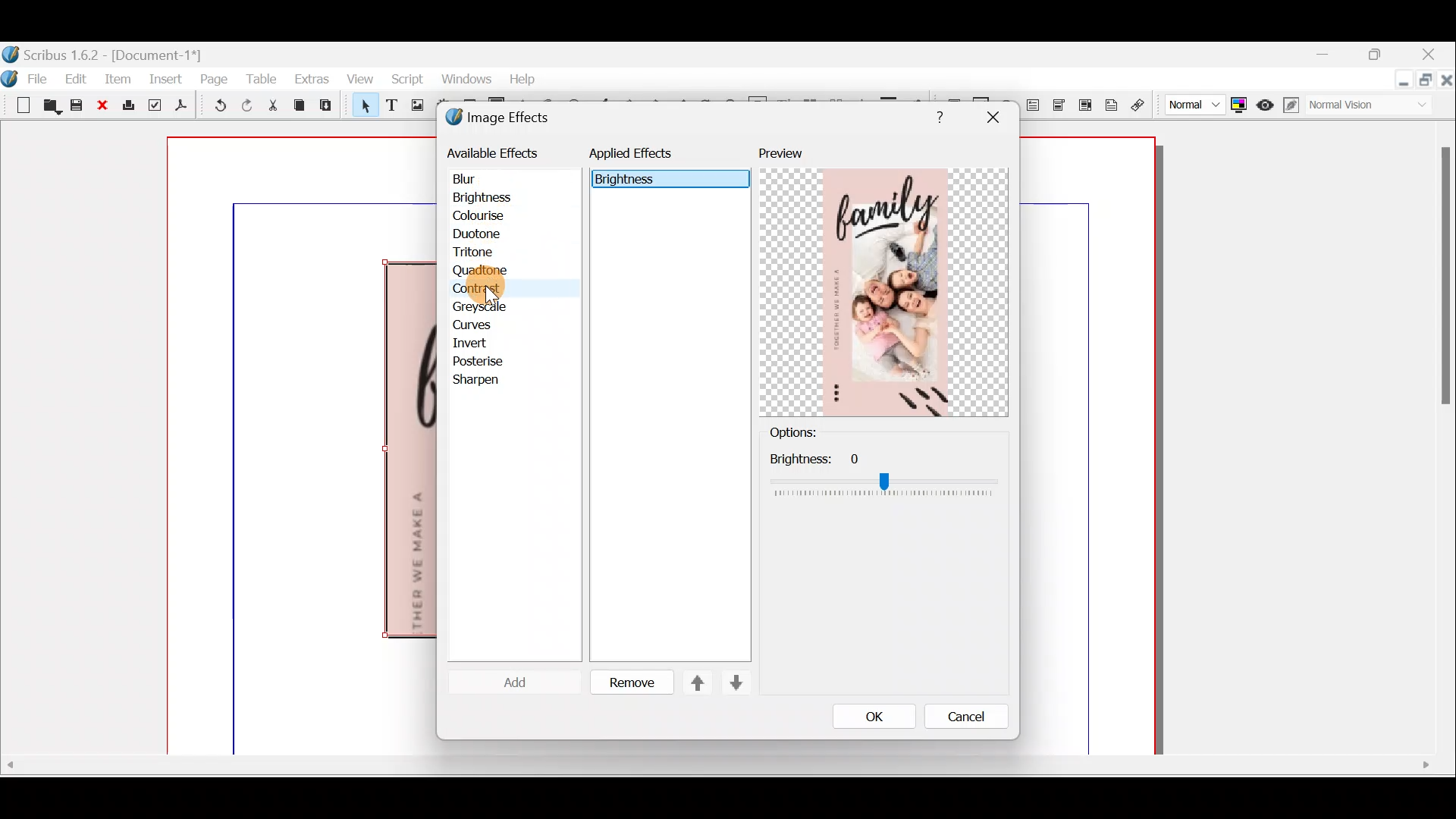 The height and width of the screenshot is (819, 1456). I want to click on View, so click(356, 80).